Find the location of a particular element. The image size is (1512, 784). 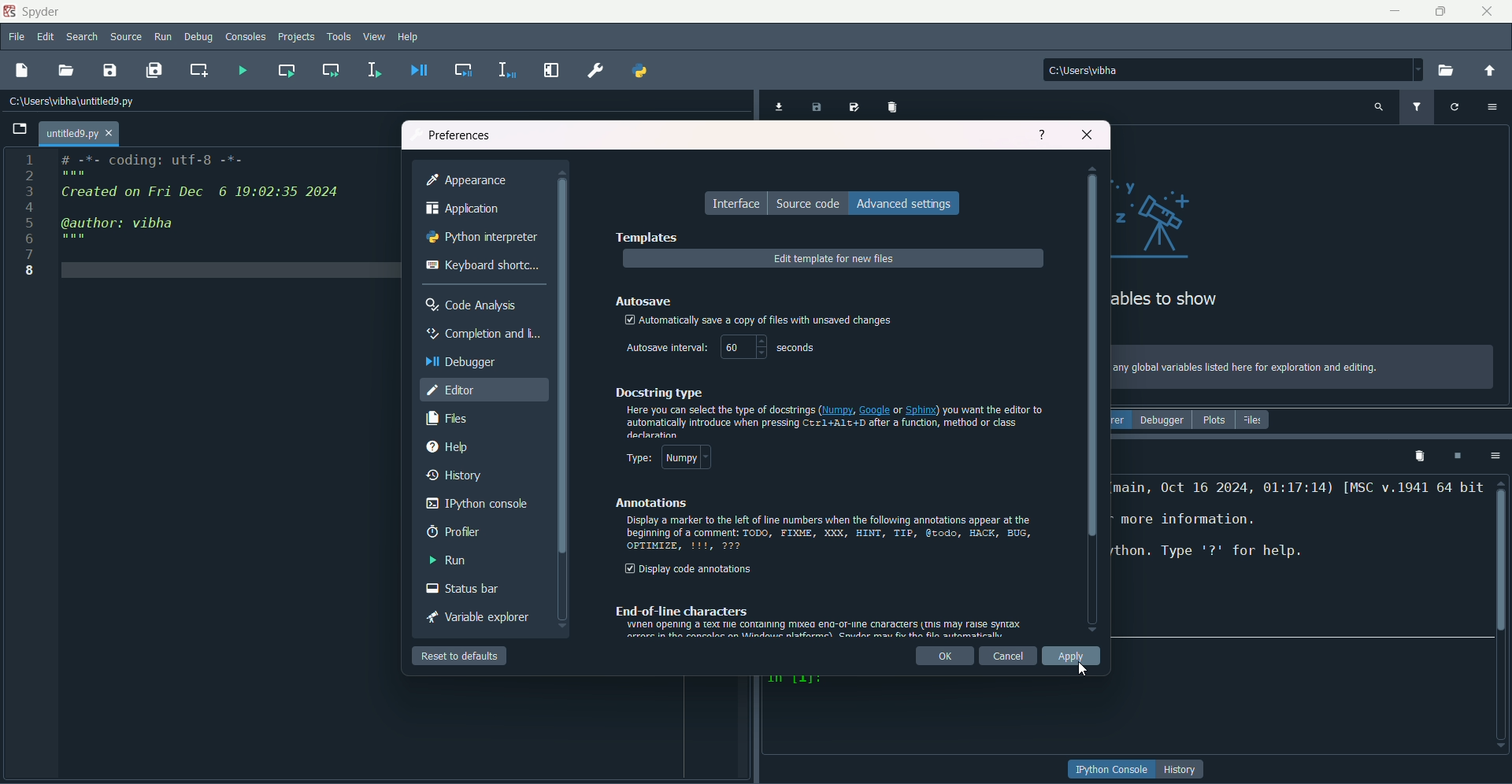

tick mark is located at coordinates (629, 320).